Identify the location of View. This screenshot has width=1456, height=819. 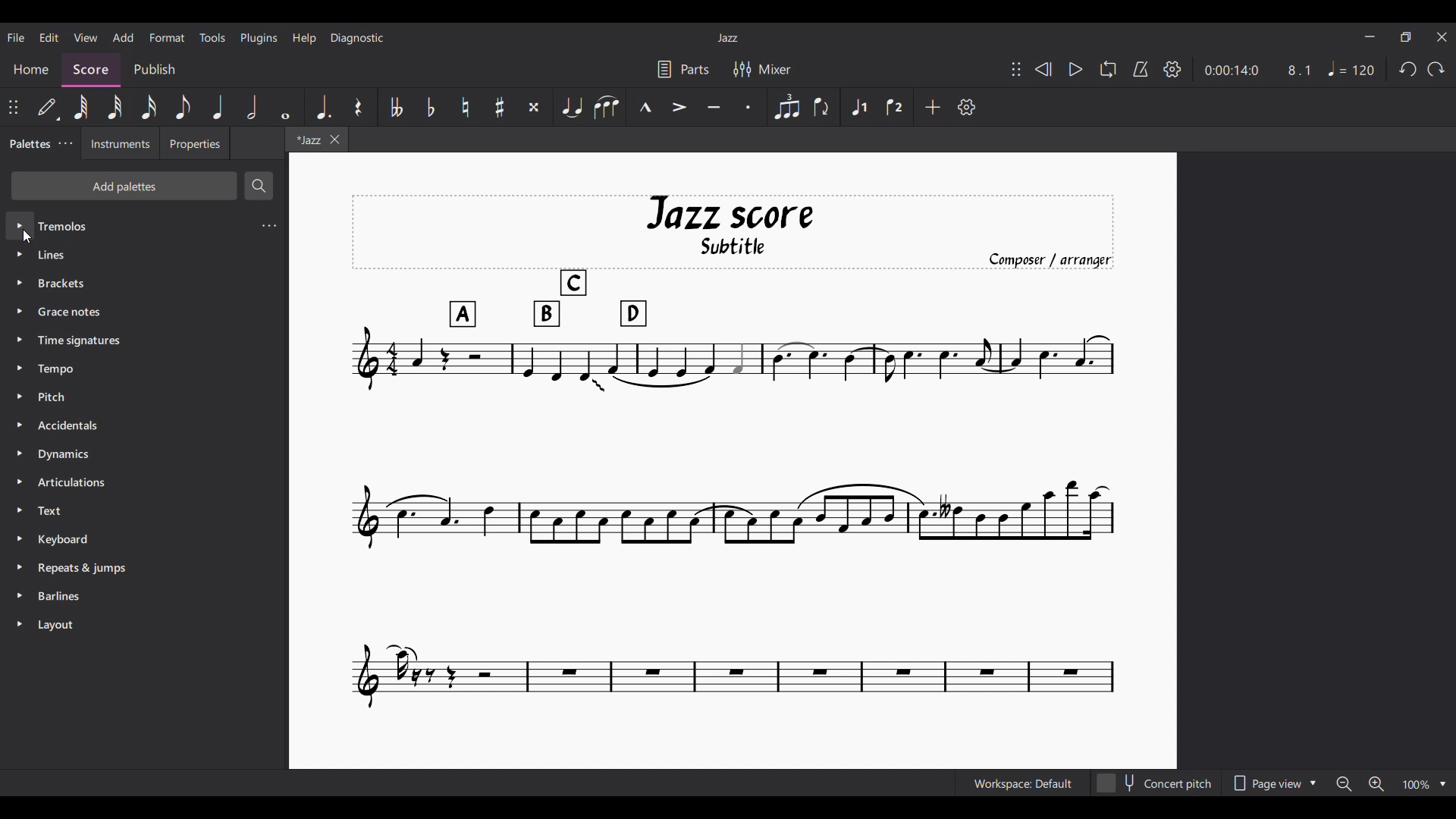
(86, 37).